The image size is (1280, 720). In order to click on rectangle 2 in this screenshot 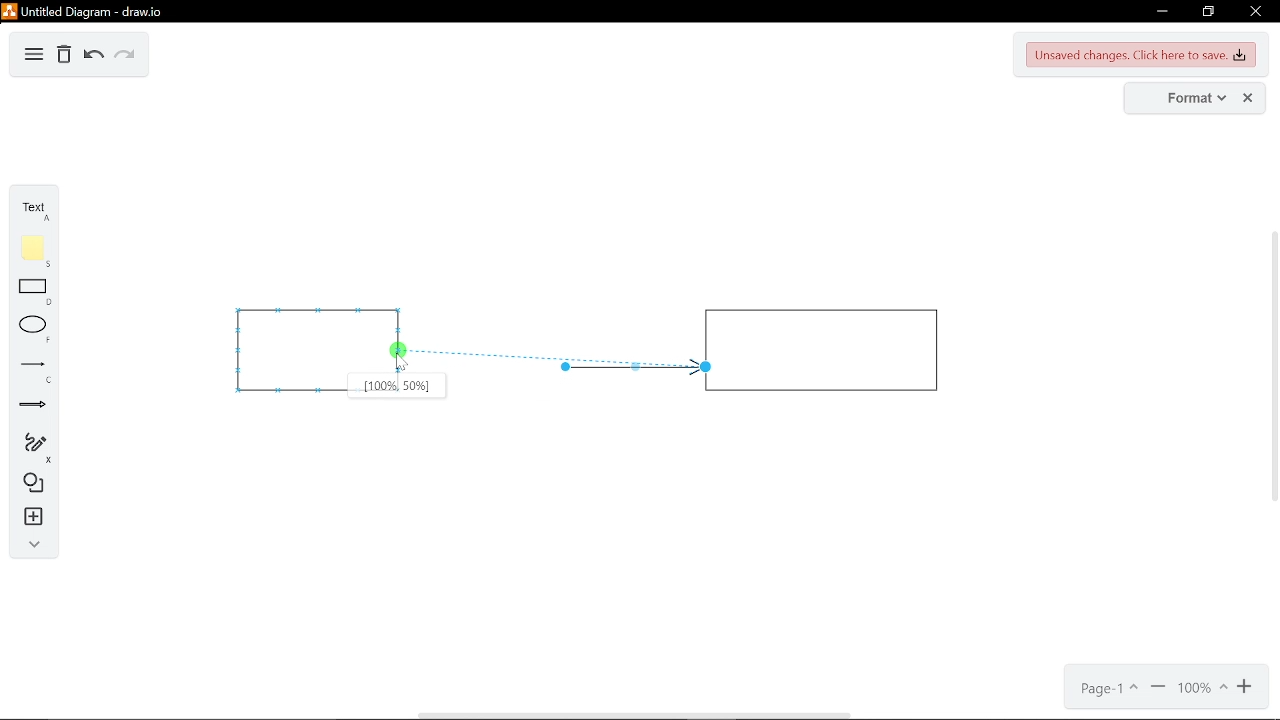, I will do `click(827, 350)`.